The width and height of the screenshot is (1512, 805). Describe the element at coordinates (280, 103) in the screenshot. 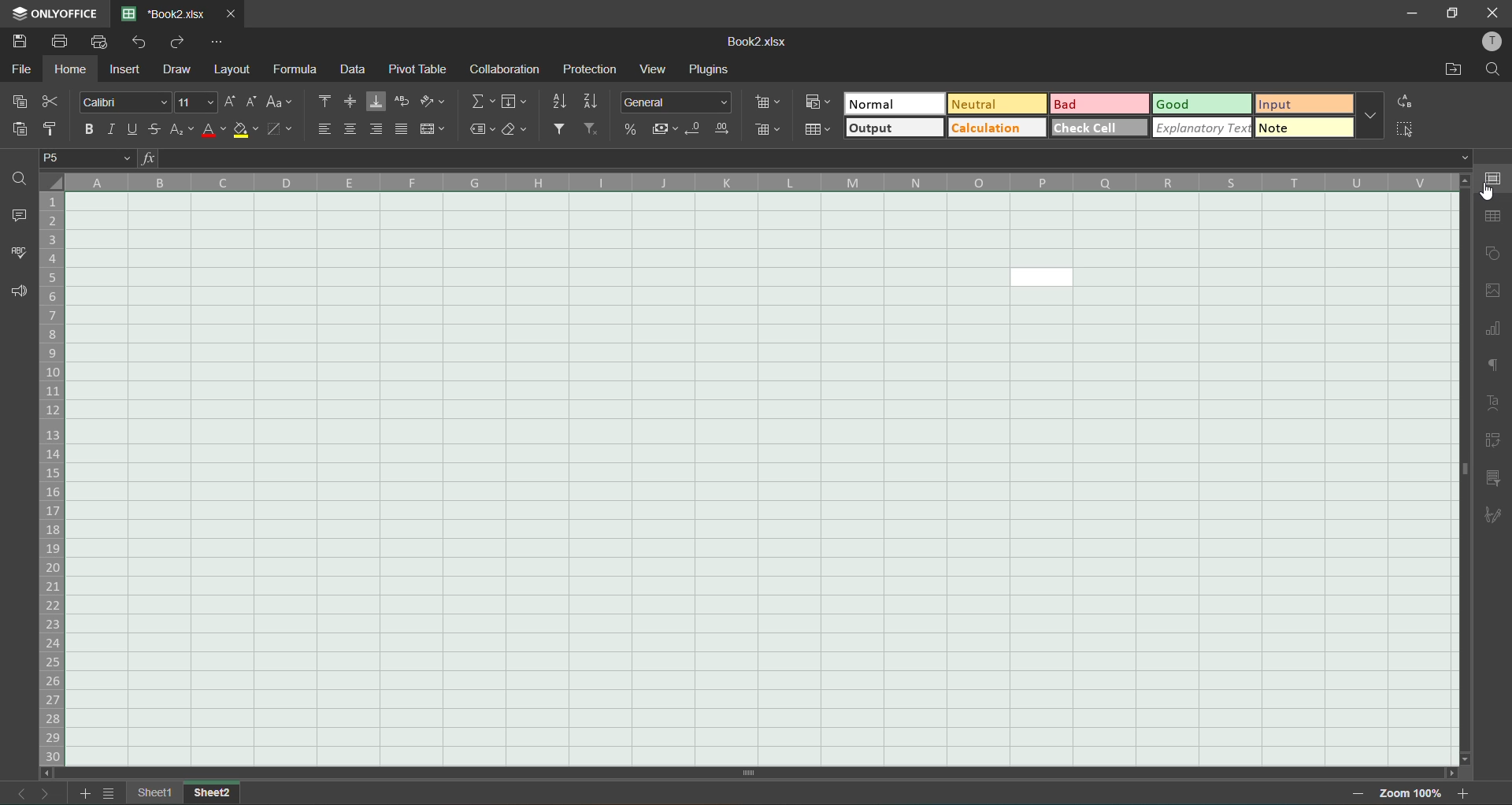

I see `change case` at that location.